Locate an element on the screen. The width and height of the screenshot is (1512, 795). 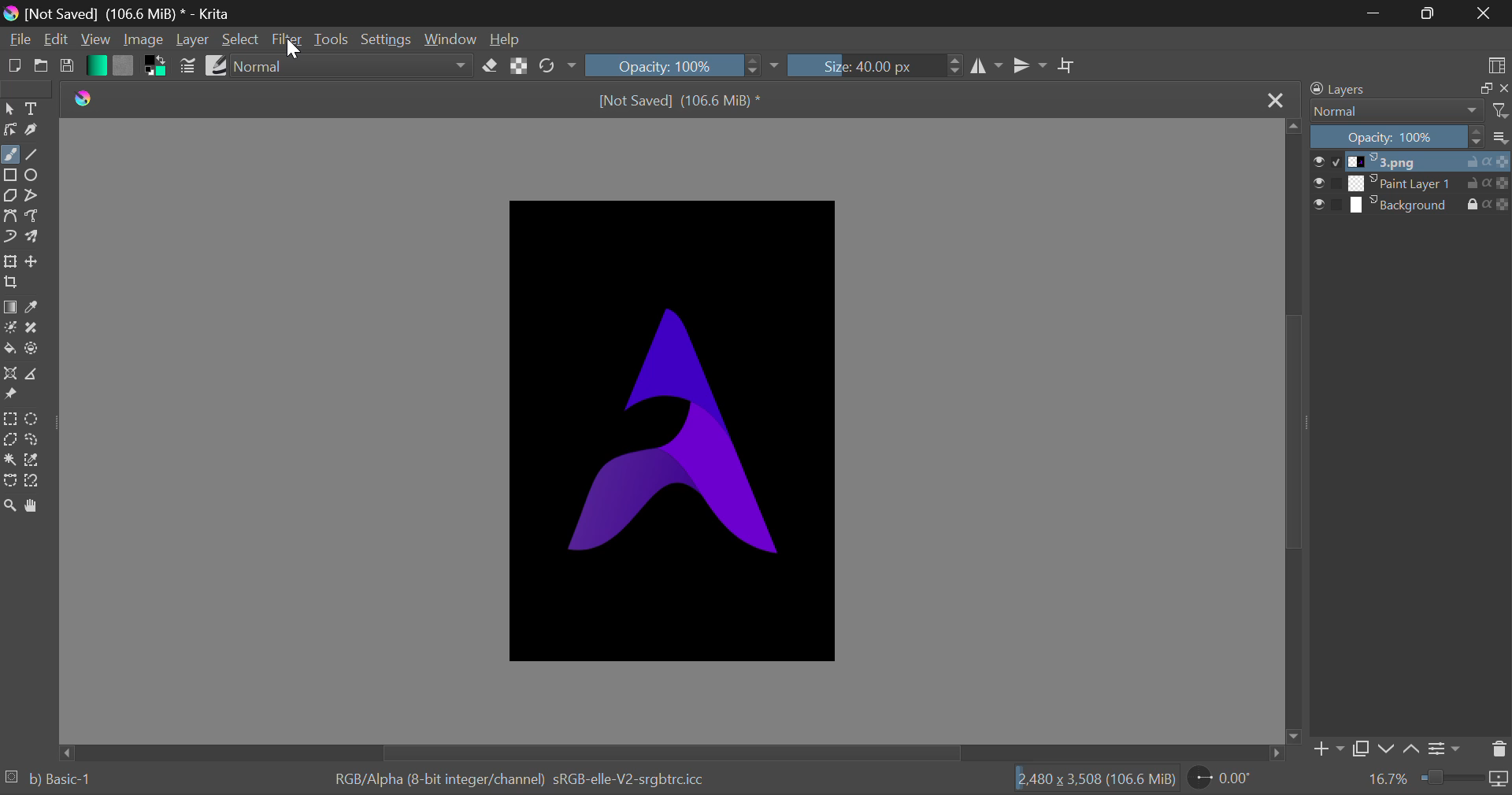
Close is located at coordinates (1482, 13).